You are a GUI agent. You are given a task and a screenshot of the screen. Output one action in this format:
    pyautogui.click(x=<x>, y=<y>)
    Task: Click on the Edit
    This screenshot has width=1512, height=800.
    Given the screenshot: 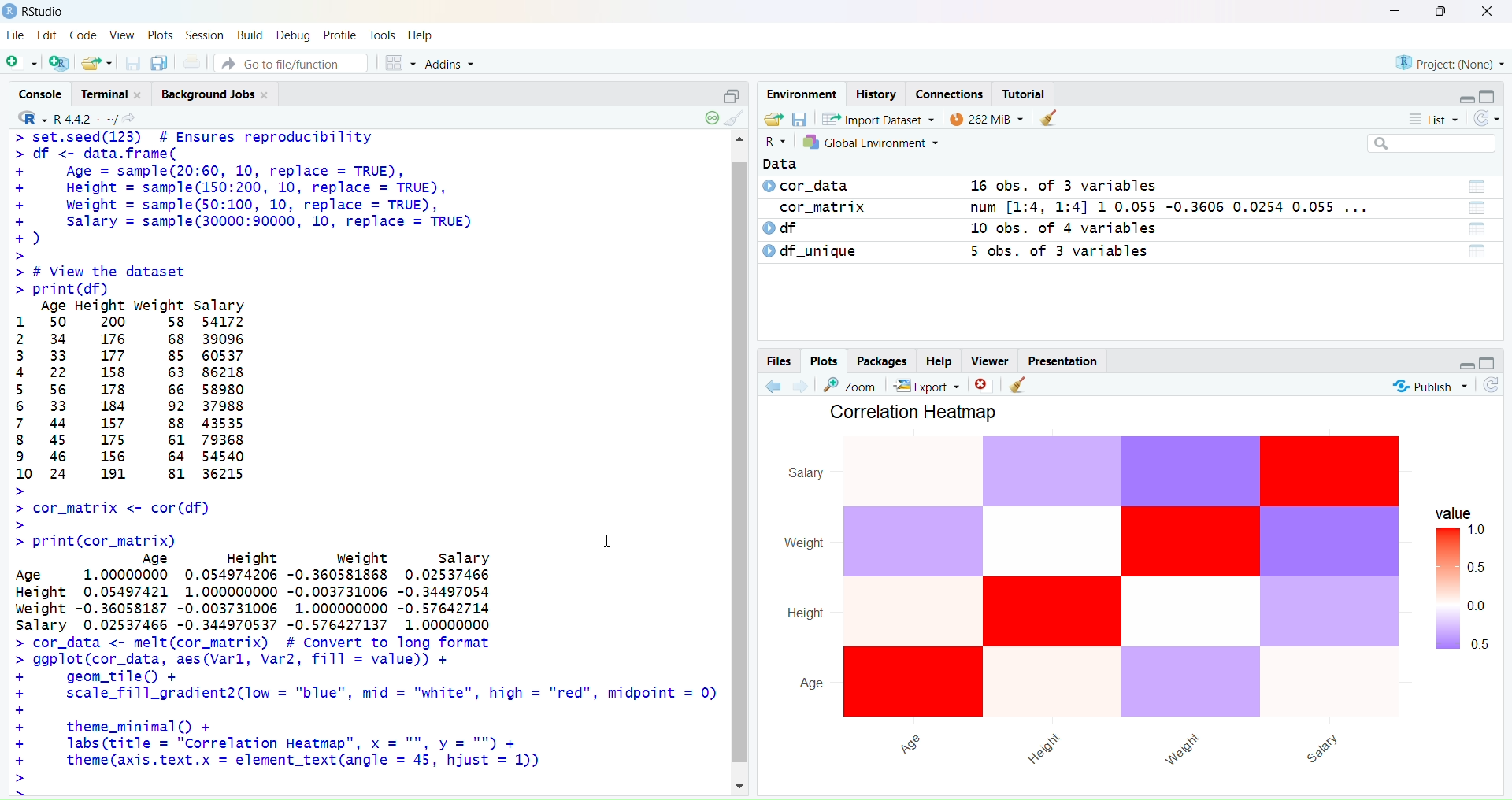 What is the action you would take?
    pyautogui.click(x=48, y=36)
    